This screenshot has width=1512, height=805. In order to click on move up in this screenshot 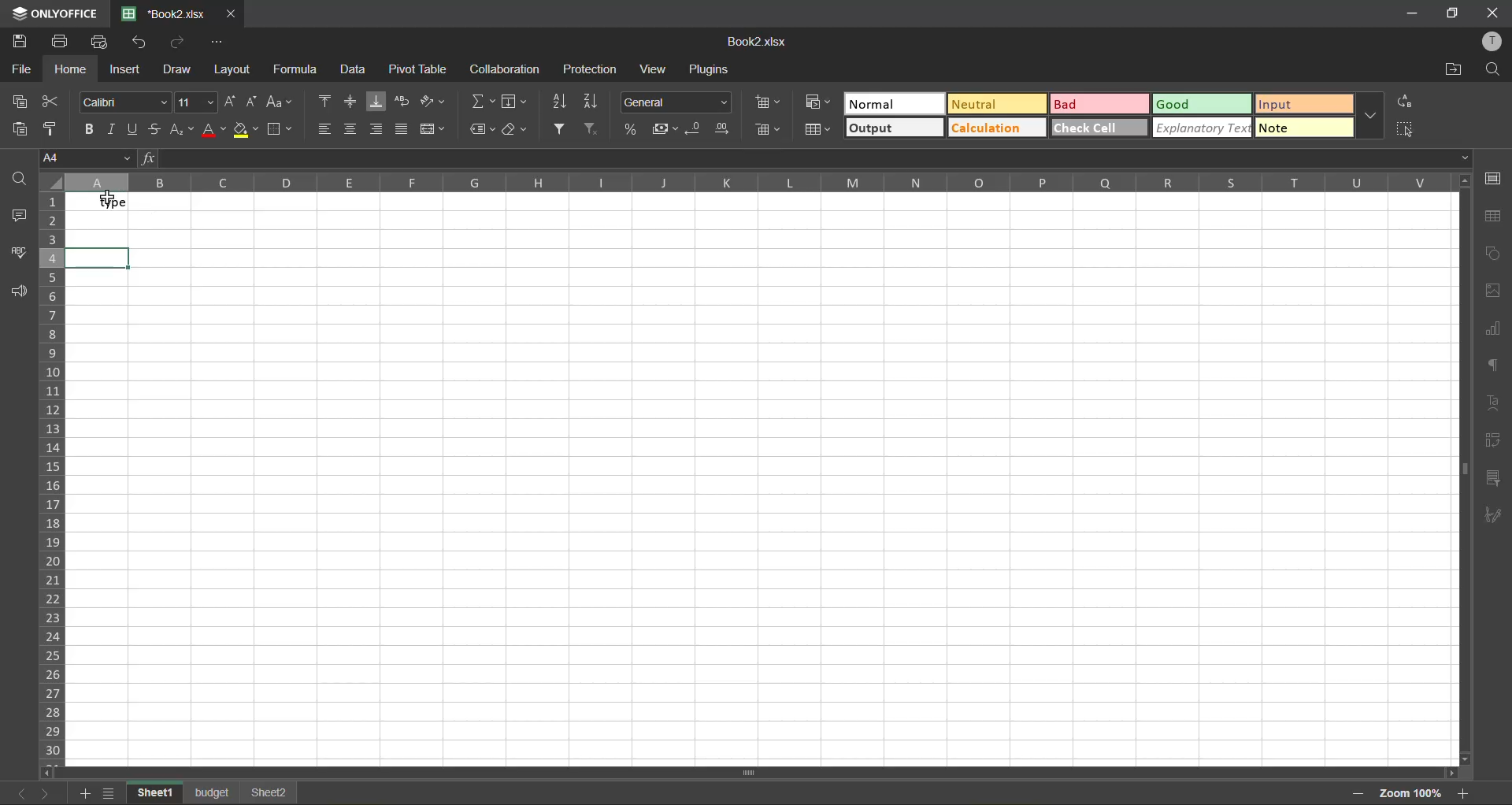, I will do `click(1459, 181)`.